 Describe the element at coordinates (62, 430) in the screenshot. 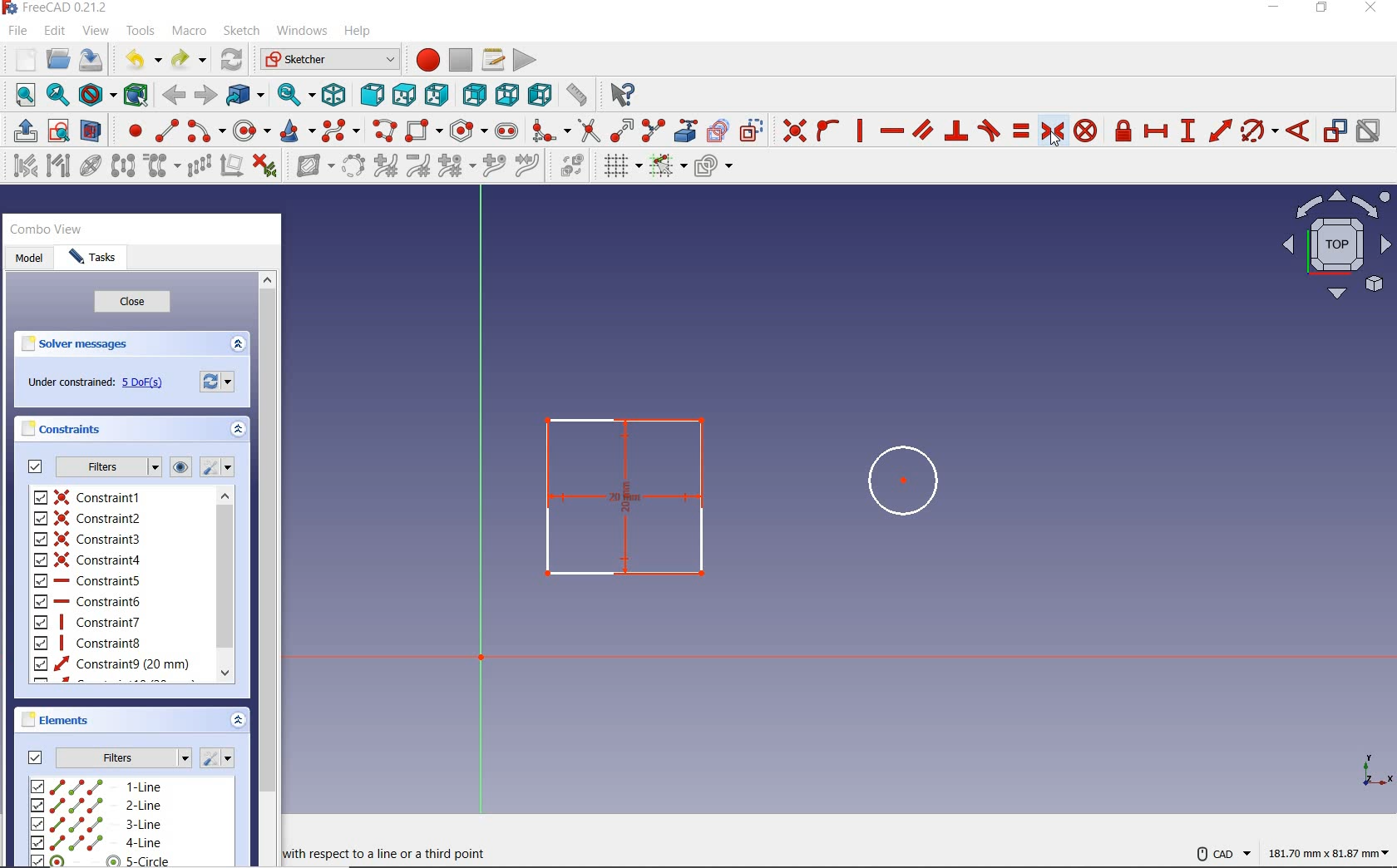

I see `constraints` at that location.